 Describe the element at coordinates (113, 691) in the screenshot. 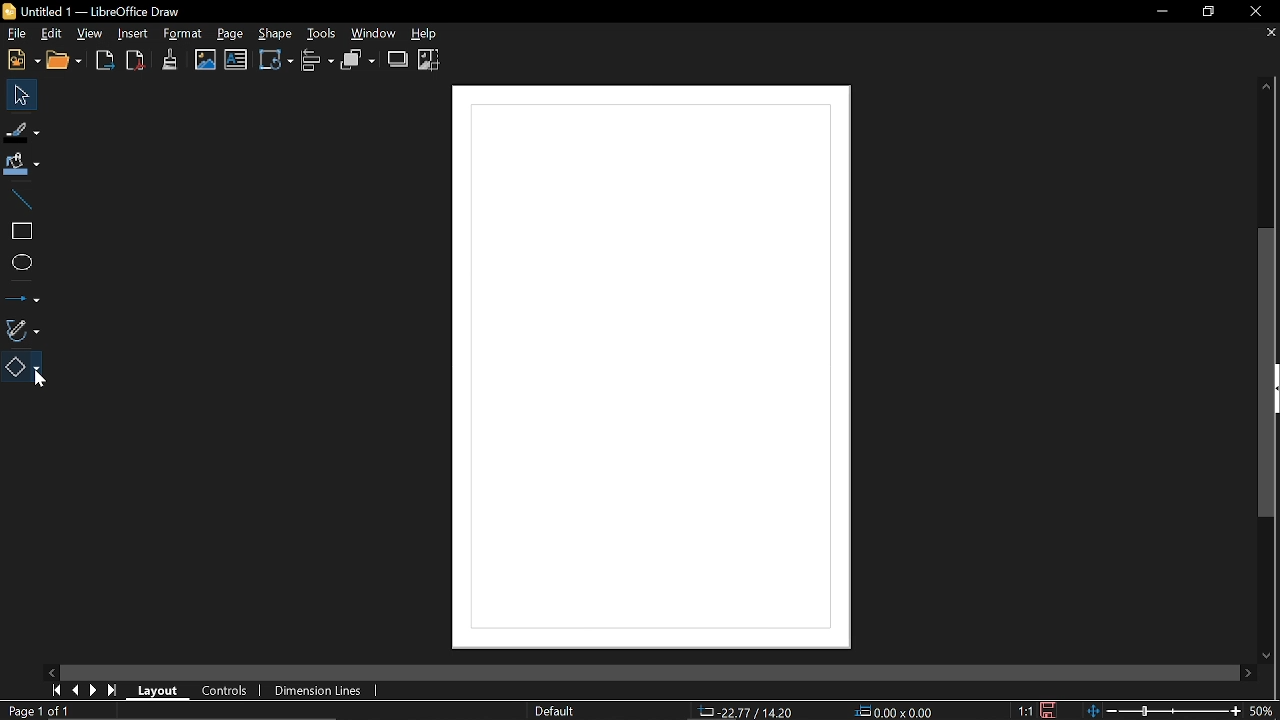

I see `Last Page` at that location.